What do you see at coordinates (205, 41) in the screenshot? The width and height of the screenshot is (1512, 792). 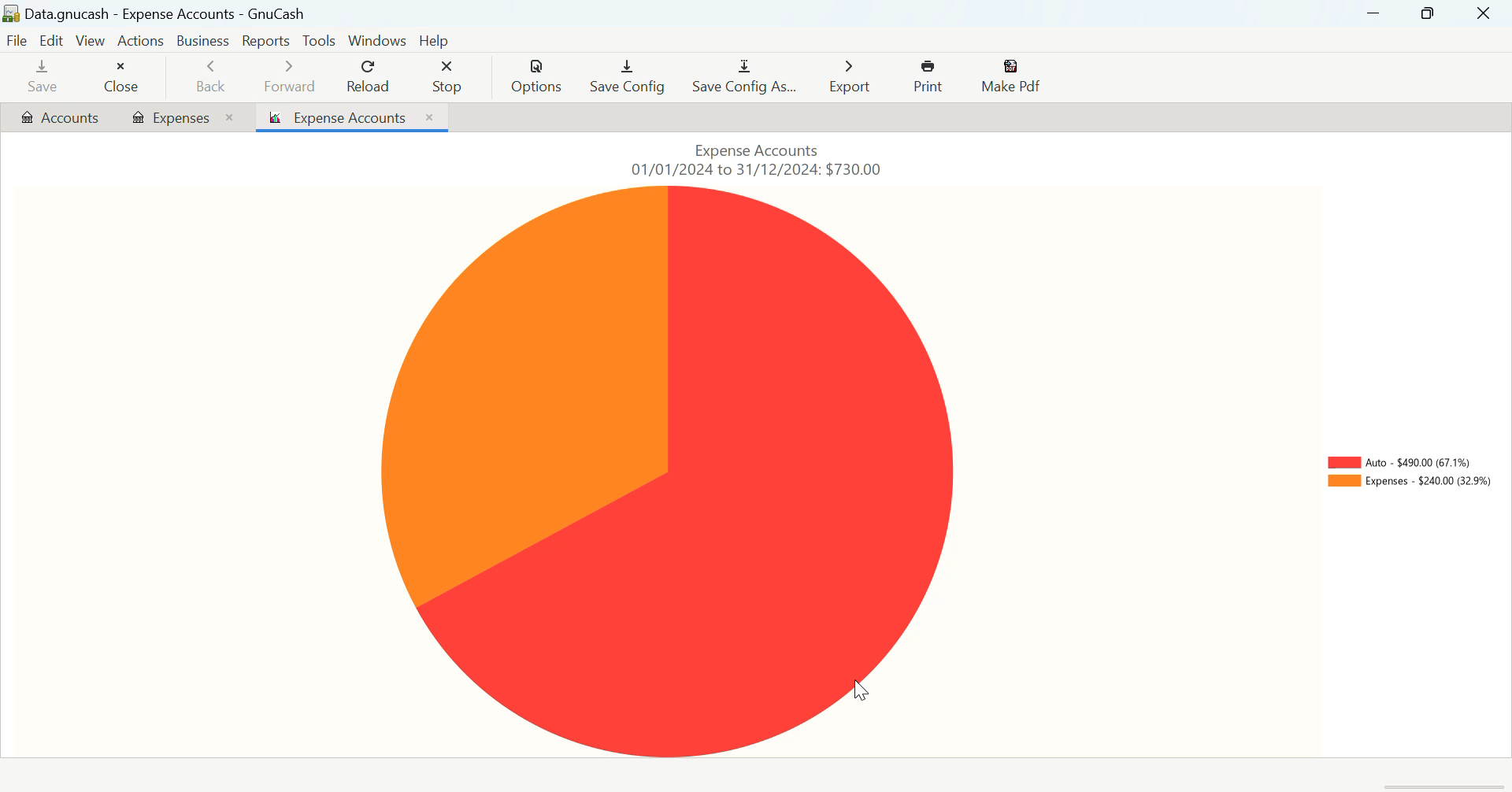 I see `Business` at bounding box center [205, 41].